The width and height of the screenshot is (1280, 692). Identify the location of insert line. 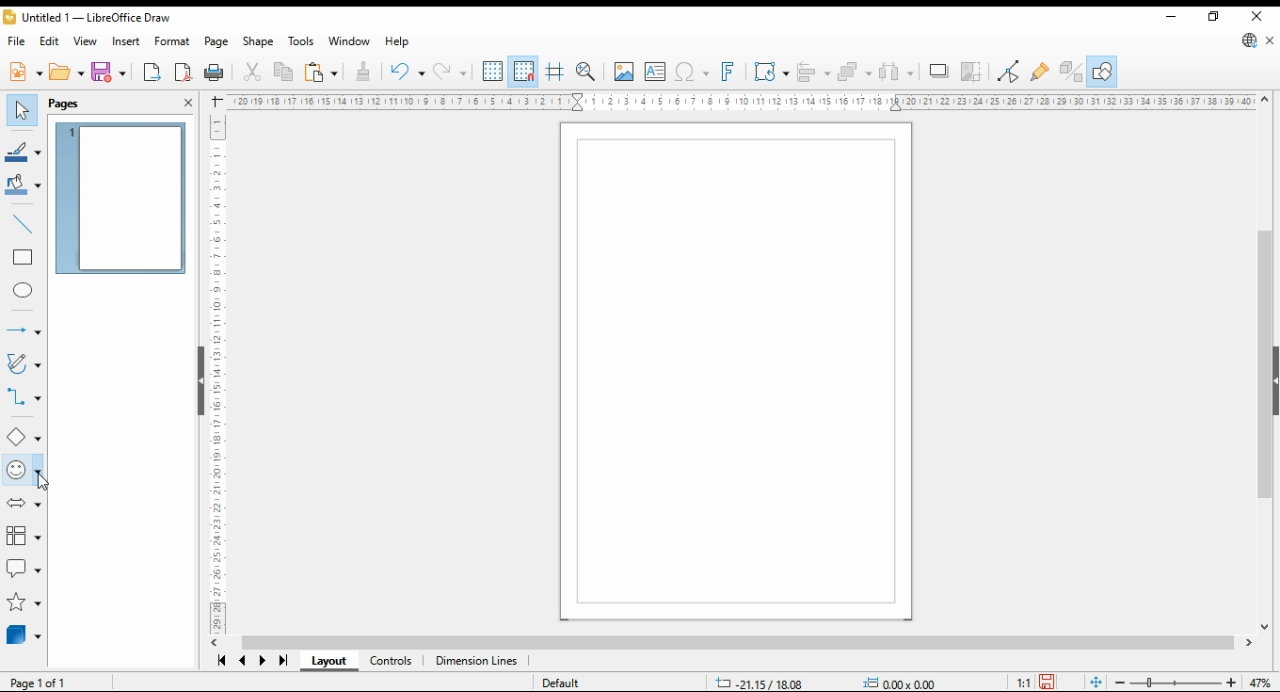
(23, 222).